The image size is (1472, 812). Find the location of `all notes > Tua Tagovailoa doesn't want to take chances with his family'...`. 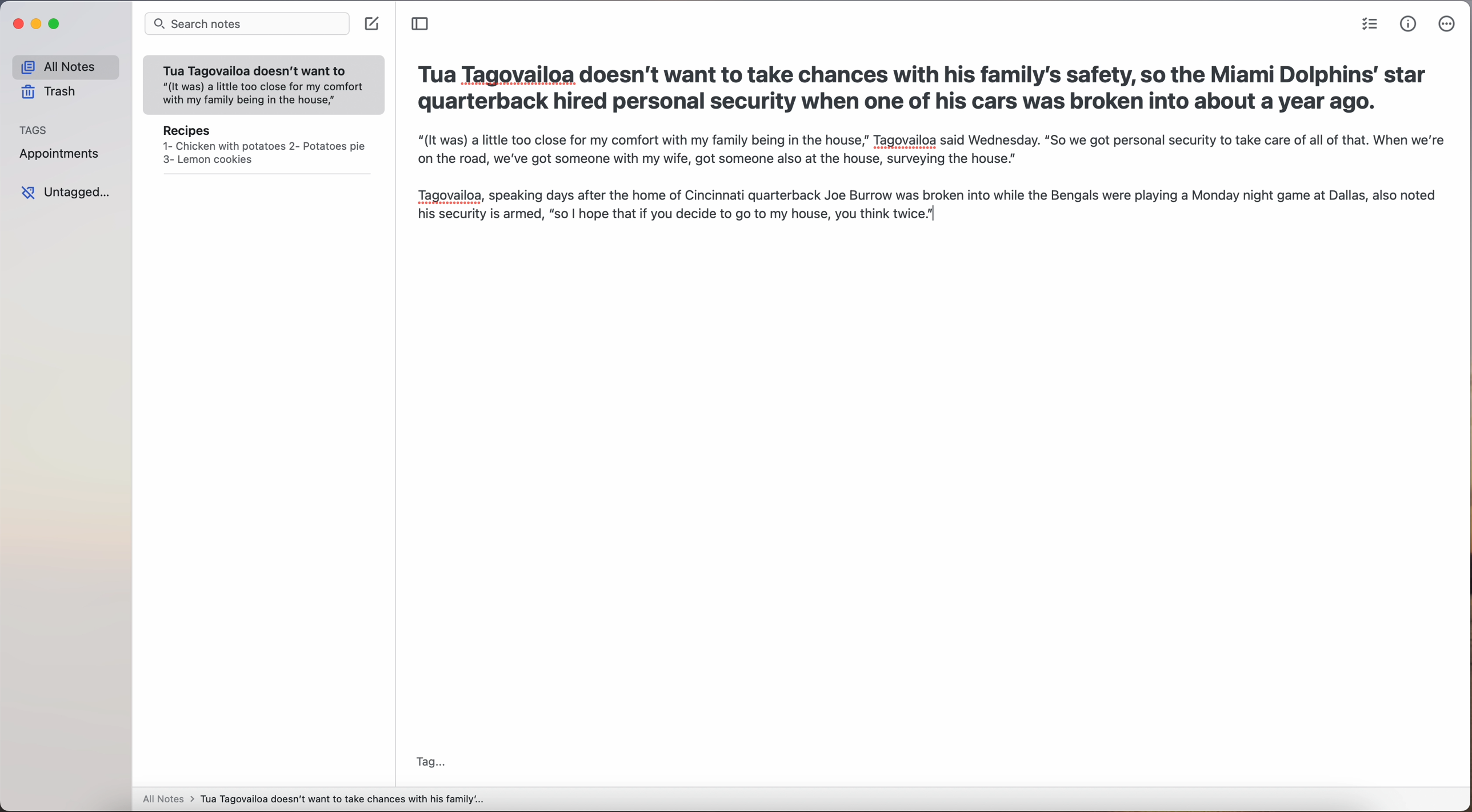

all notes > Tua Tagovailoa doesn't want to take chances with his family'... is located at coordinates (314, 800).